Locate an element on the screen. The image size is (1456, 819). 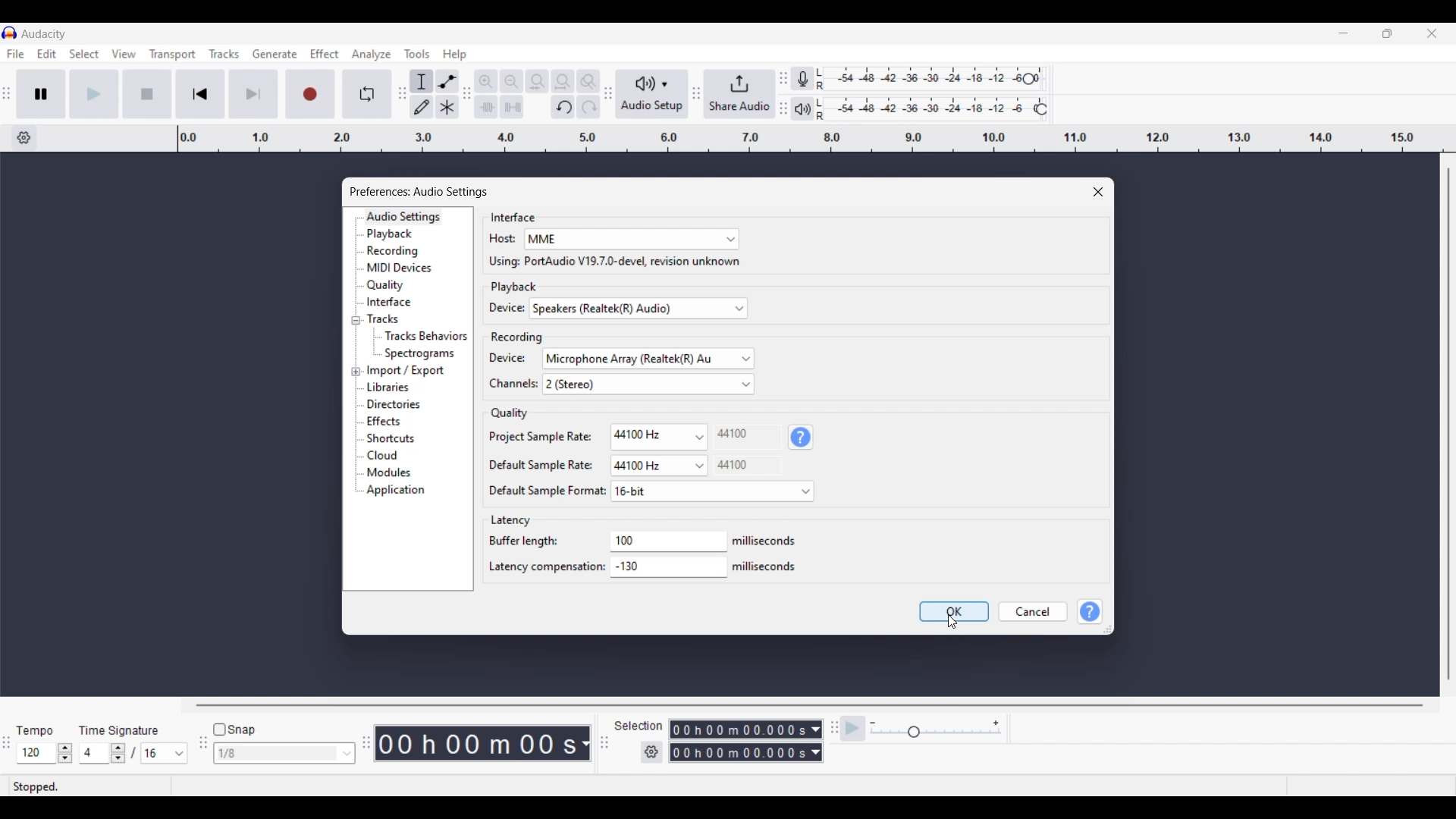
| Playback is located at coordinates (507, 287).